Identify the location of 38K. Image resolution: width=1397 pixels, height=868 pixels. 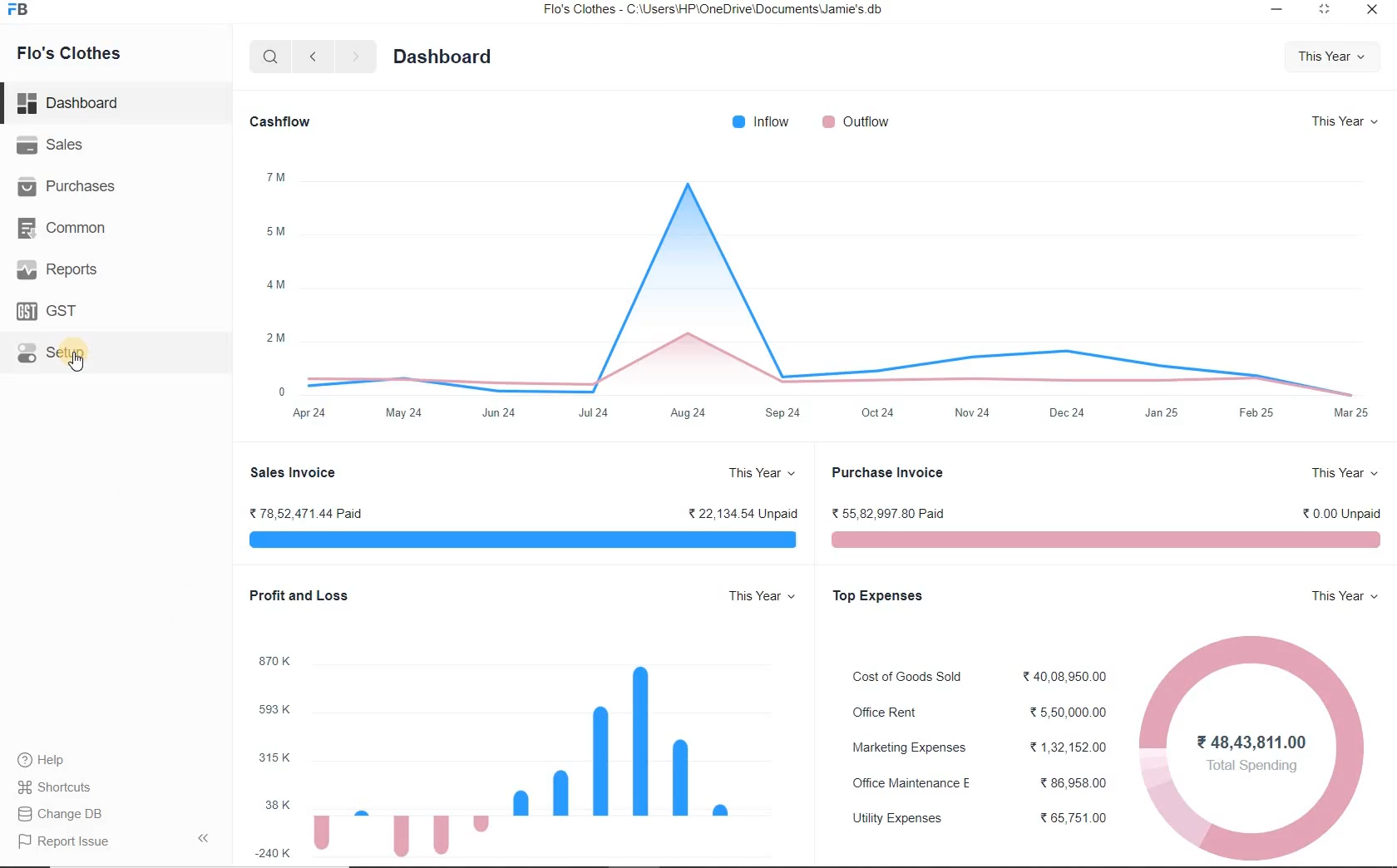
(277, 801).